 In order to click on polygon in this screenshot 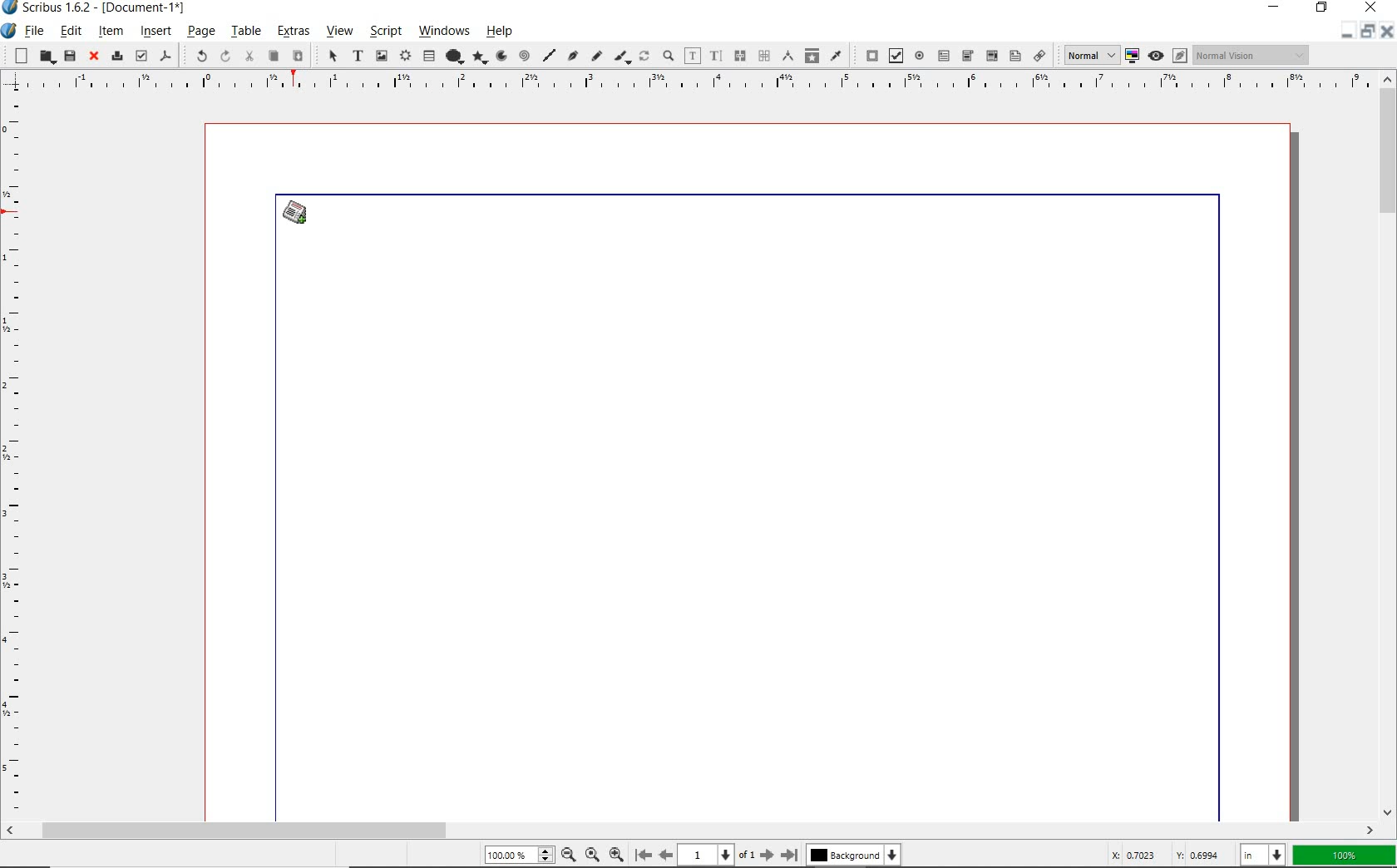, I will do `click(481, 57)`.